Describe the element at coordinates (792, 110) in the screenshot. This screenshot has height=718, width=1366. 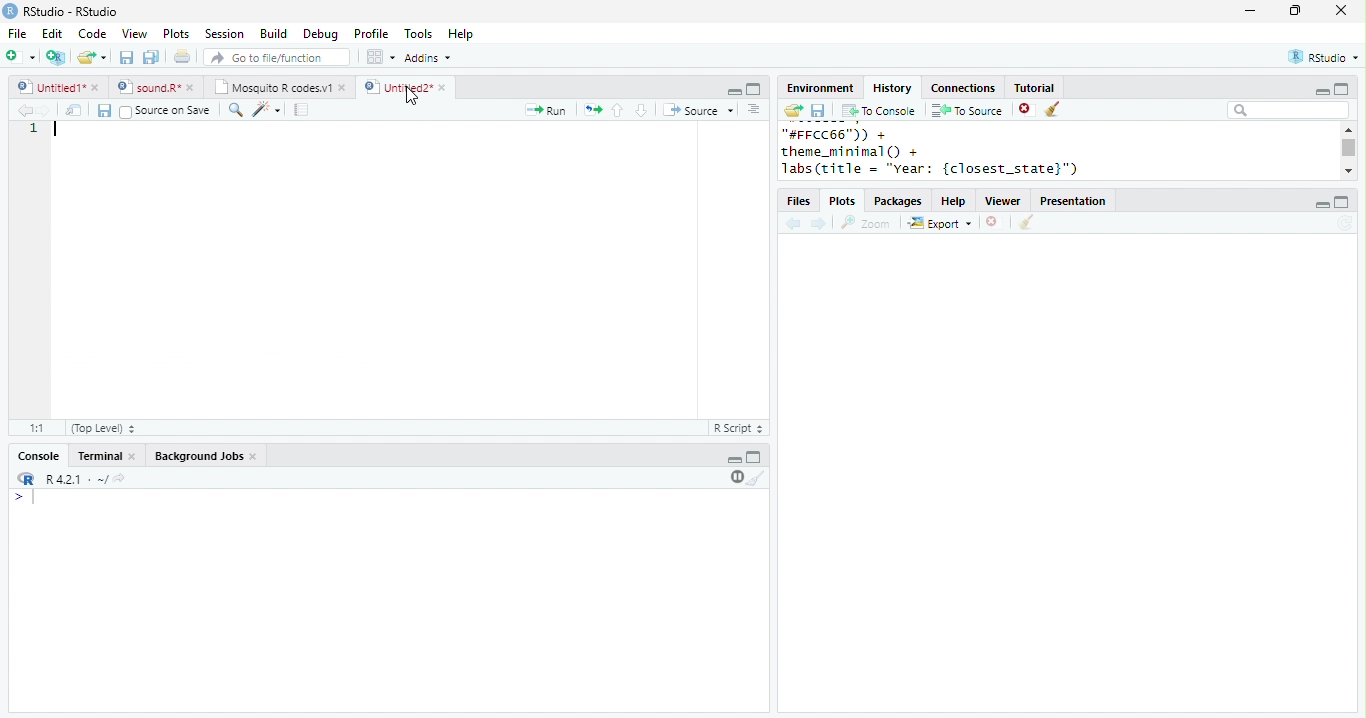
I see `open folder` at that location.